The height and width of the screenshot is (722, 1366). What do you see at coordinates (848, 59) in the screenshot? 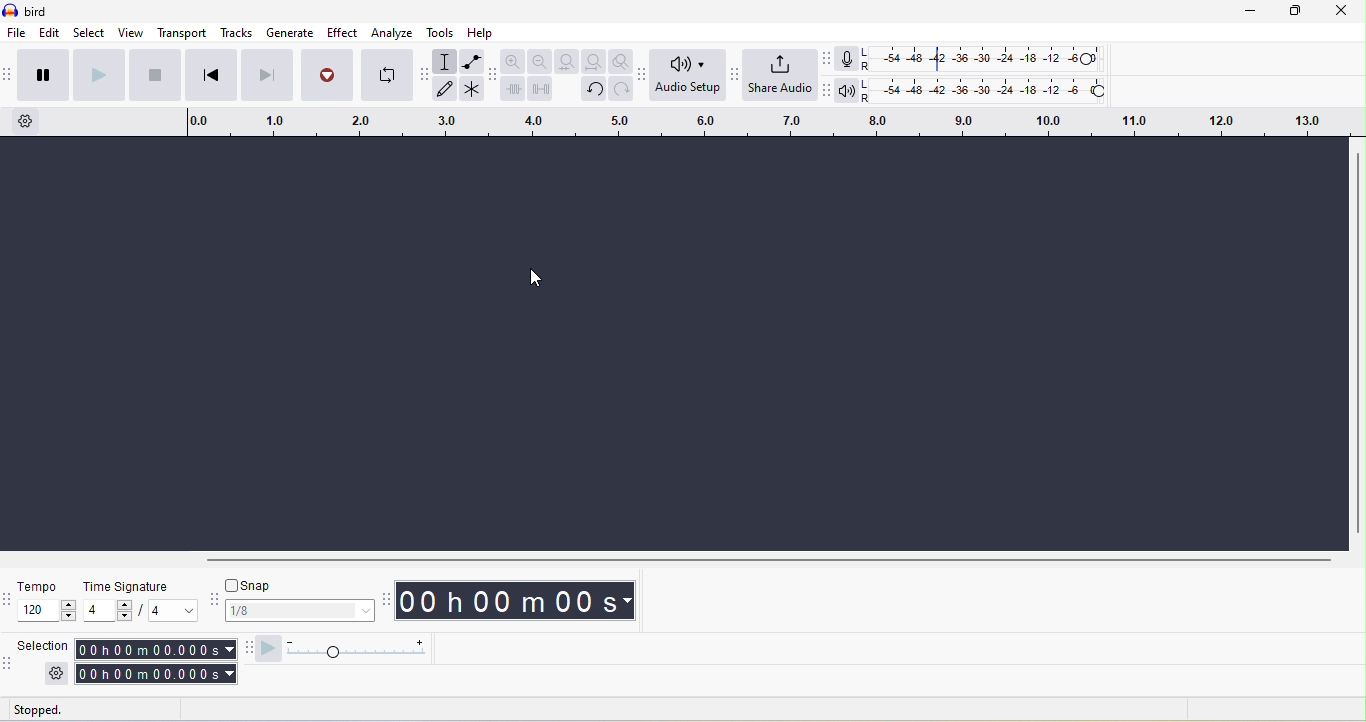
I see `record meter` at bounding box center [848, 59].